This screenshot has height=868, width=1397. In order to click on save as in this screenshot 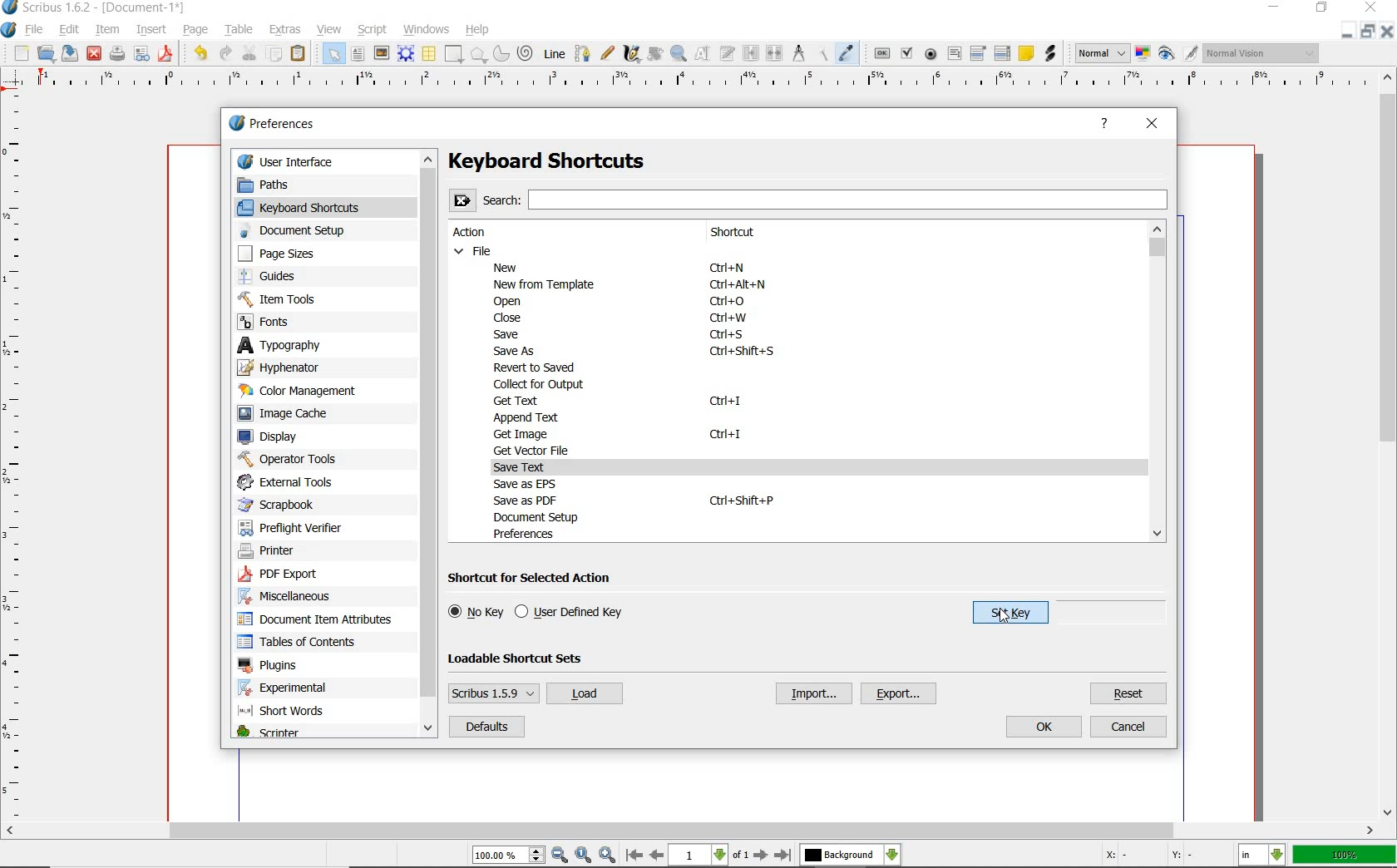, I will do `click(516, 352)`.